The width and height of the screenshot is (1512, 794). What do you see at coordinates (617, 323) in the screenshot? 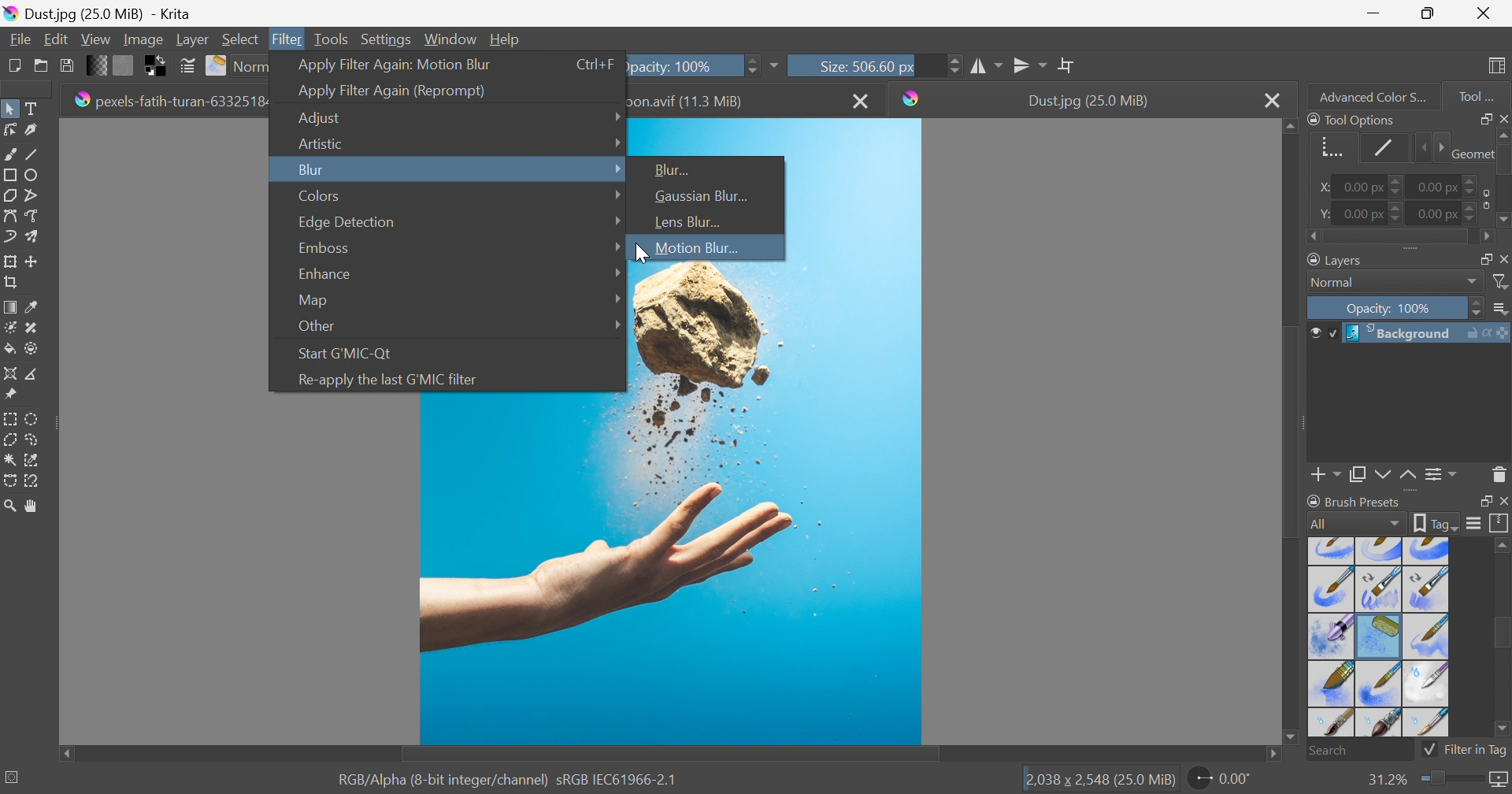
I see `Drop Down` at bounding box center [617, 323].